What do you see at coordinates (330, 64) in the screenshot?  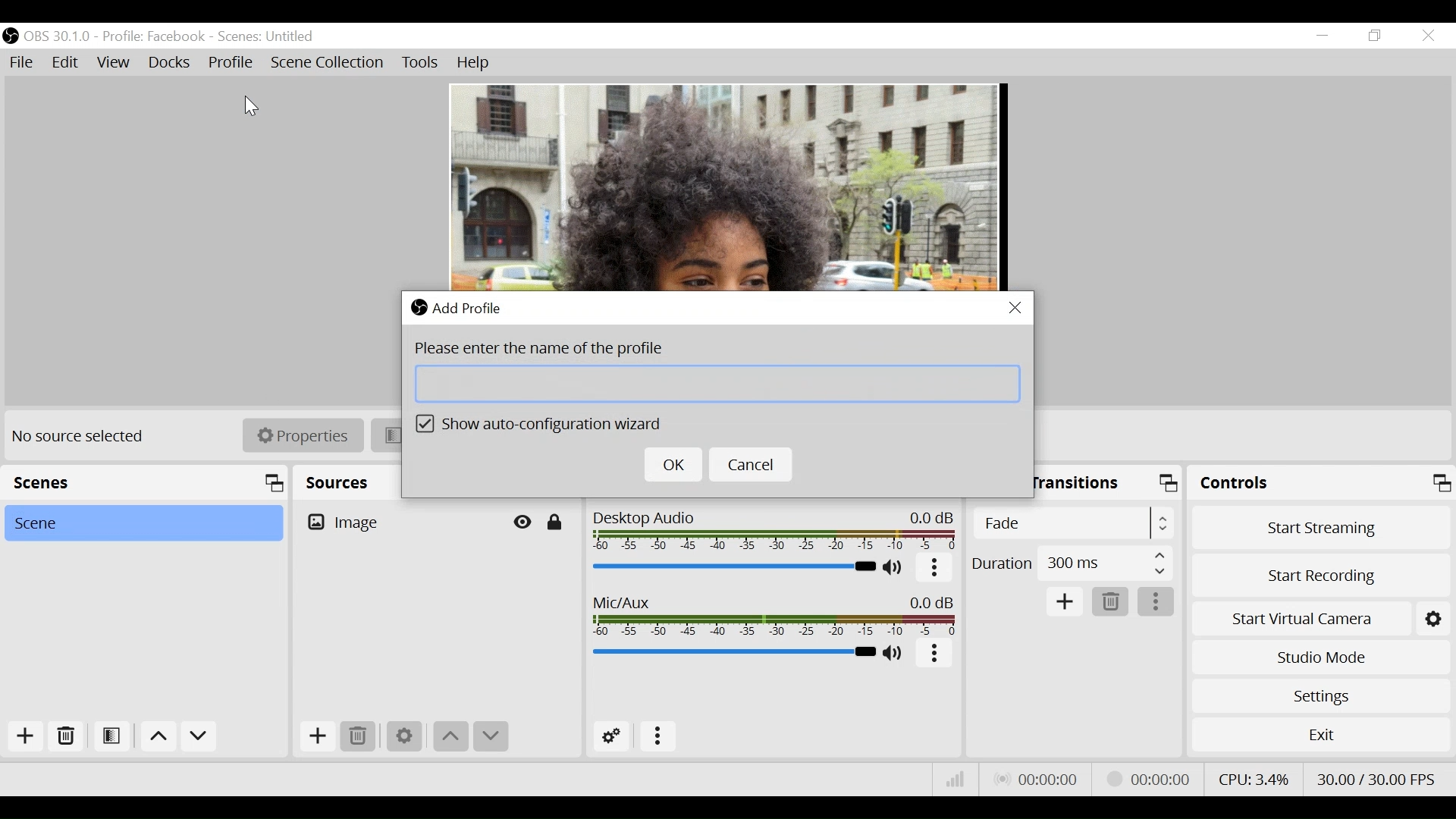 I see `Scene Collection` at bounding box center [330, 64].